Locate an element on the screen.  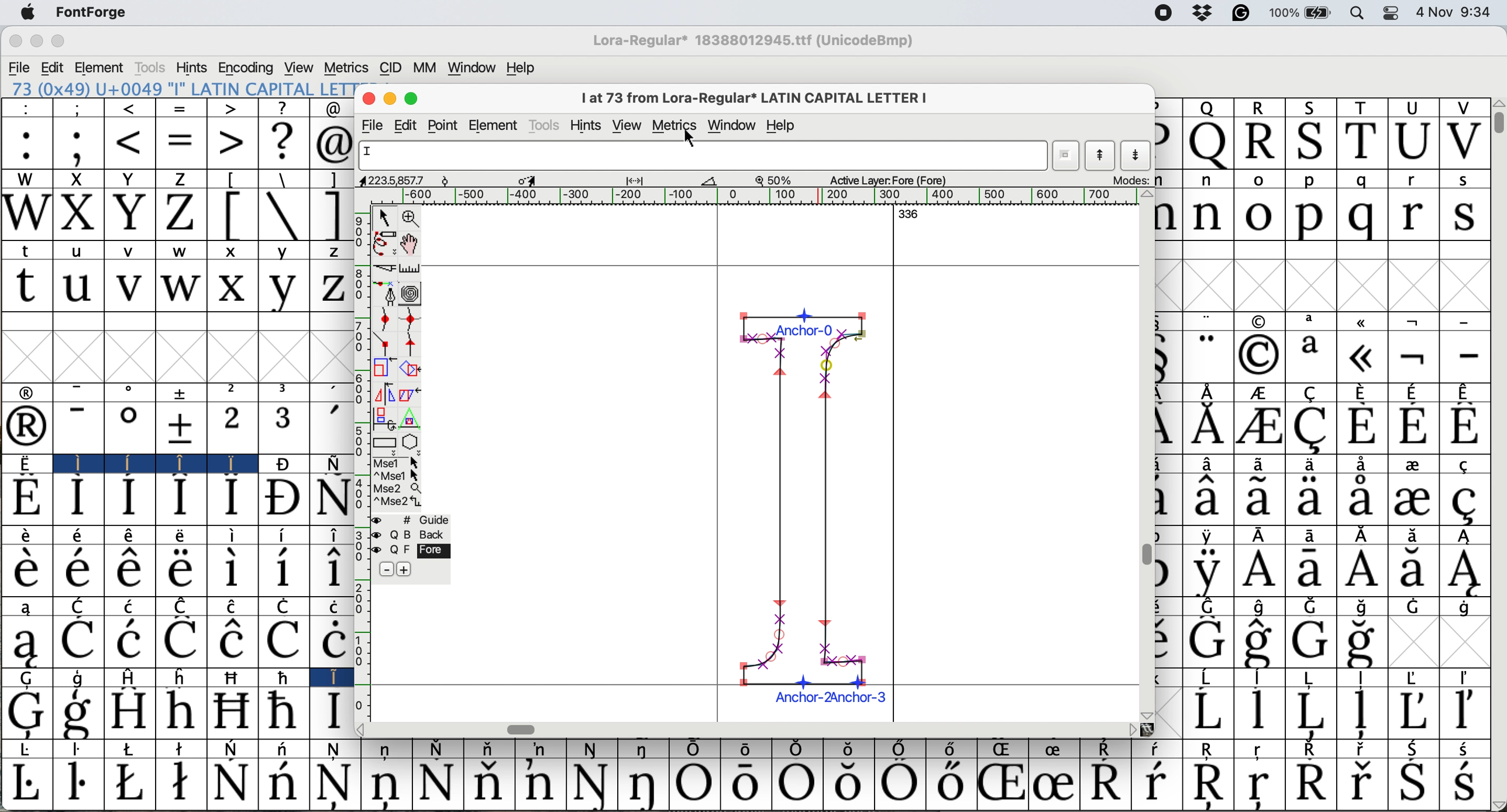
Symbol is located at coordinates (438, 784).